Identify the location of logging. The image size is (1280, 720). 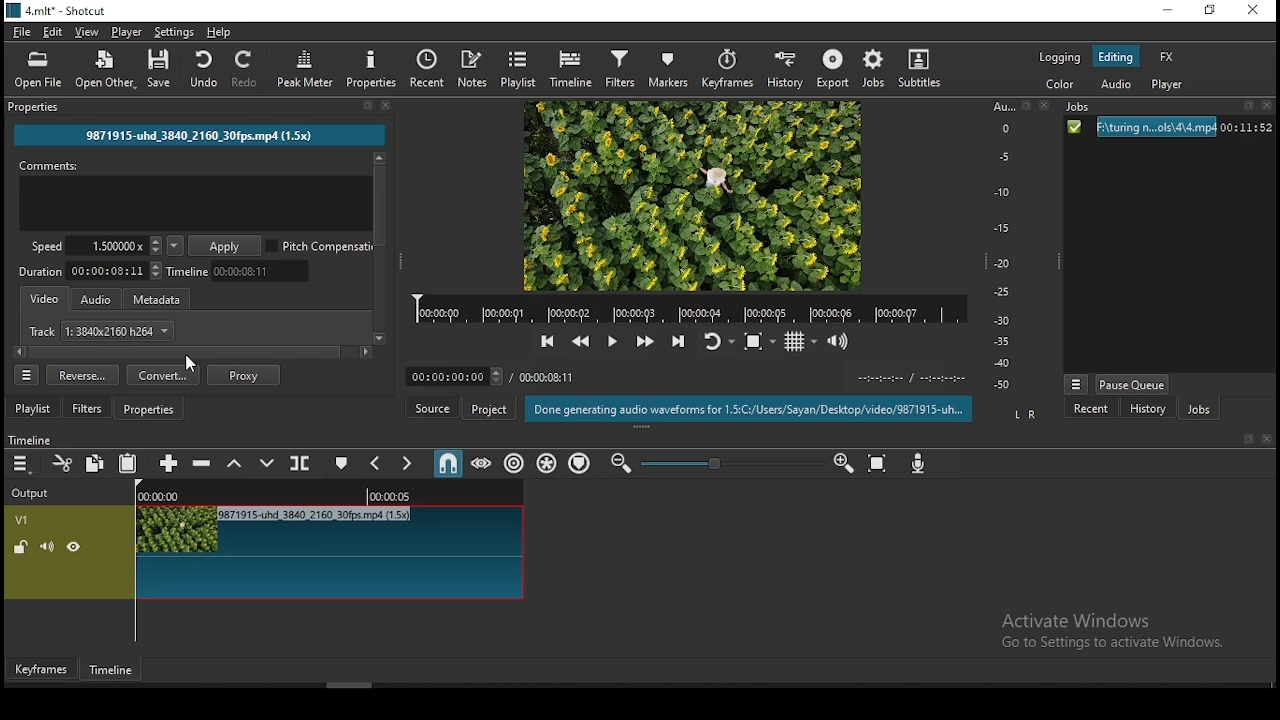
(1060, 58).